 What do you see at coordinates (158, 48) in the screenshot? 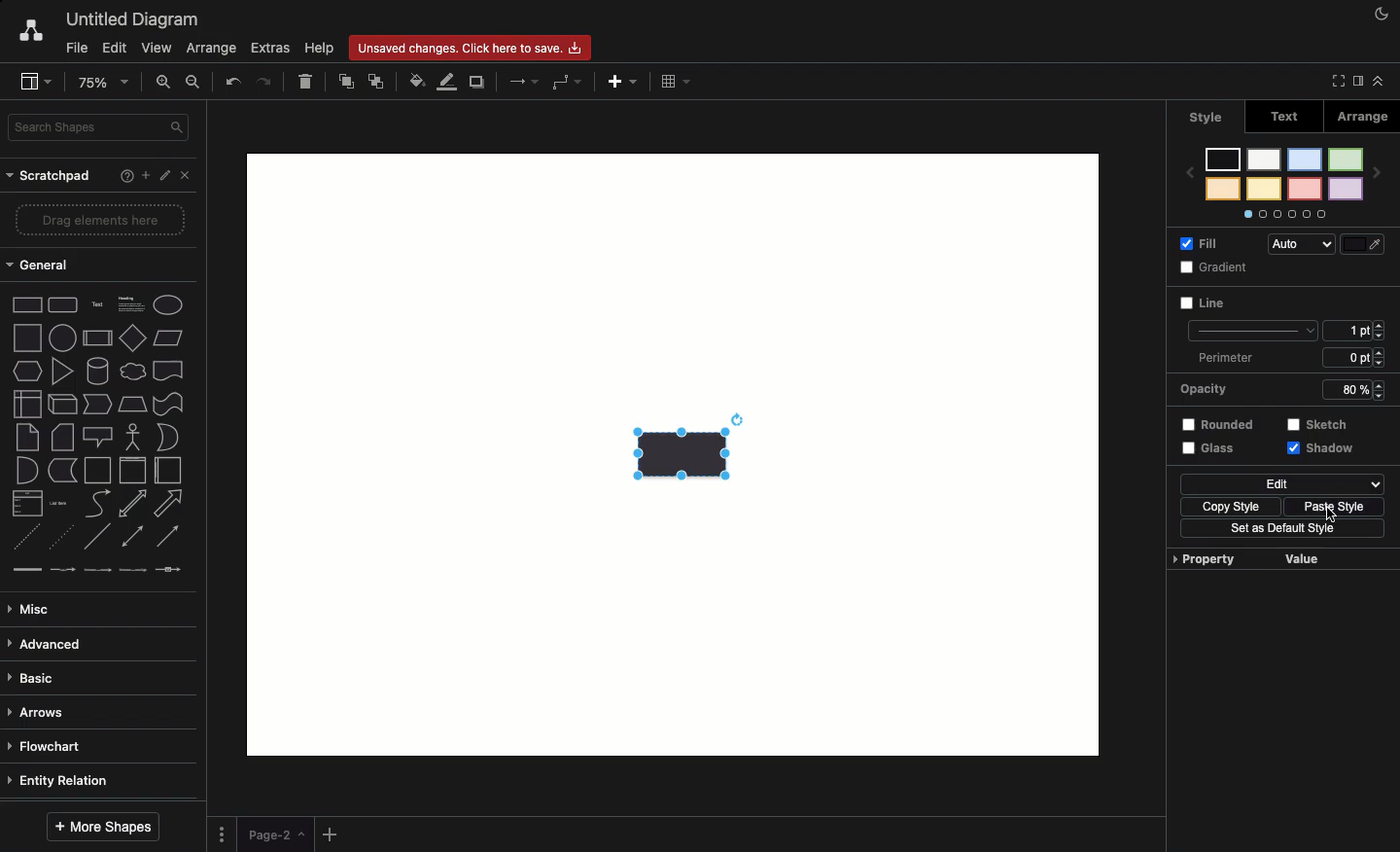
I see `View` at bounding box center [158, 48].